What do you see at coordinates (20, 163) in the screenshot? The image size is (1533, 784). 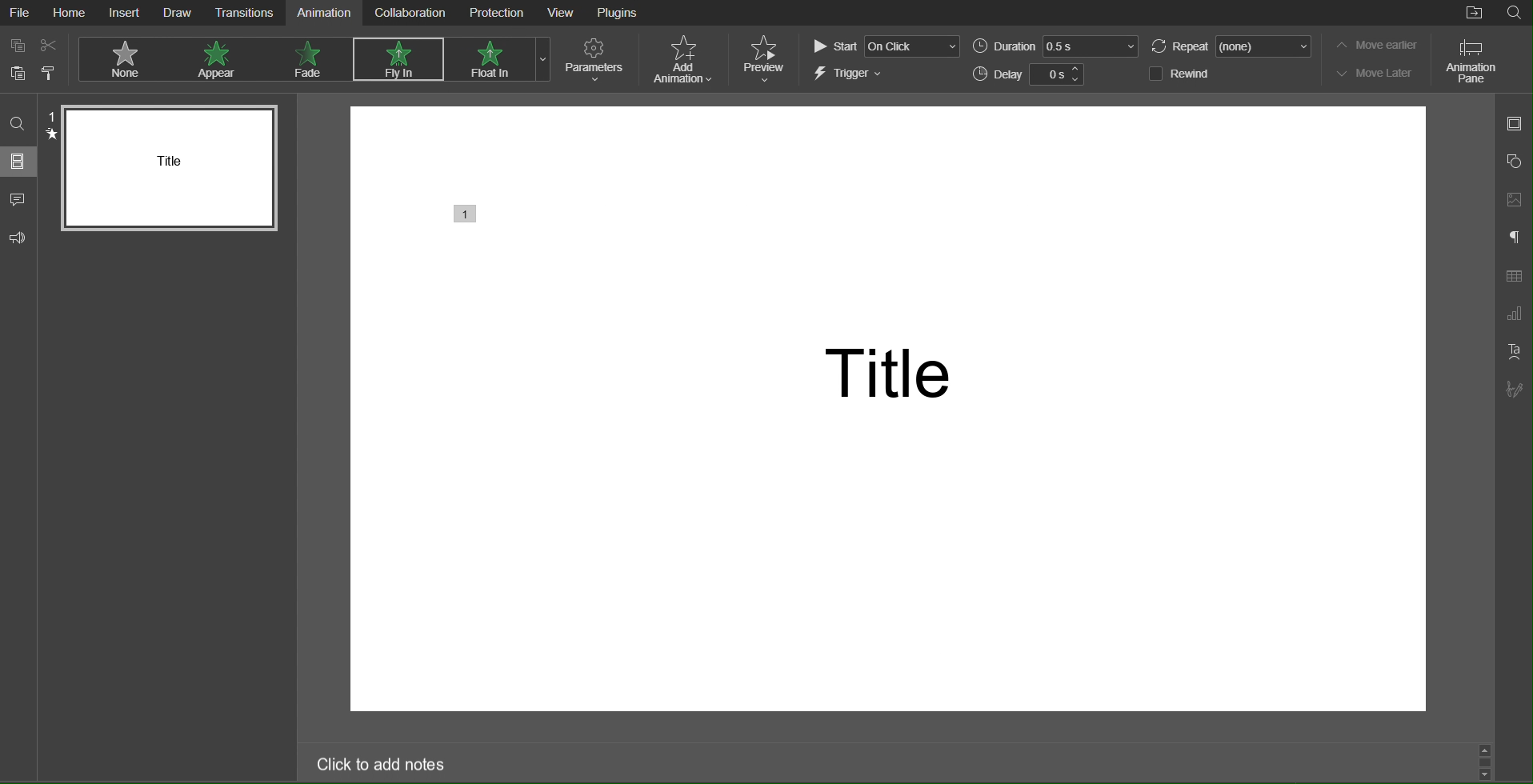 I see `Slides` at bounding box center [20, 163].